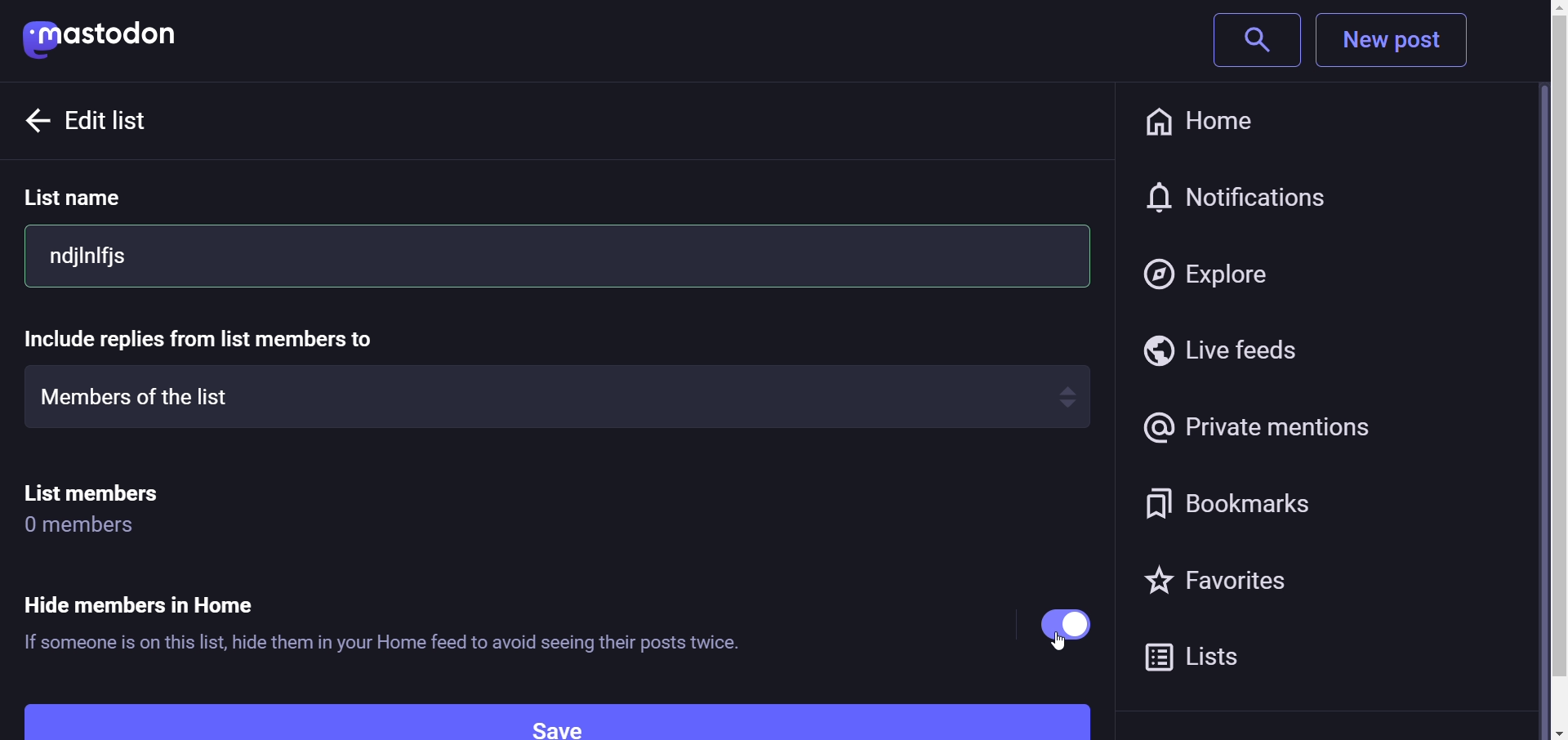 This screenshot has height=740, width=1568. What do you see at coordinates (150, 595) in the screenshot?
I see `Hide member in Home` at bounding box center [150, 595].